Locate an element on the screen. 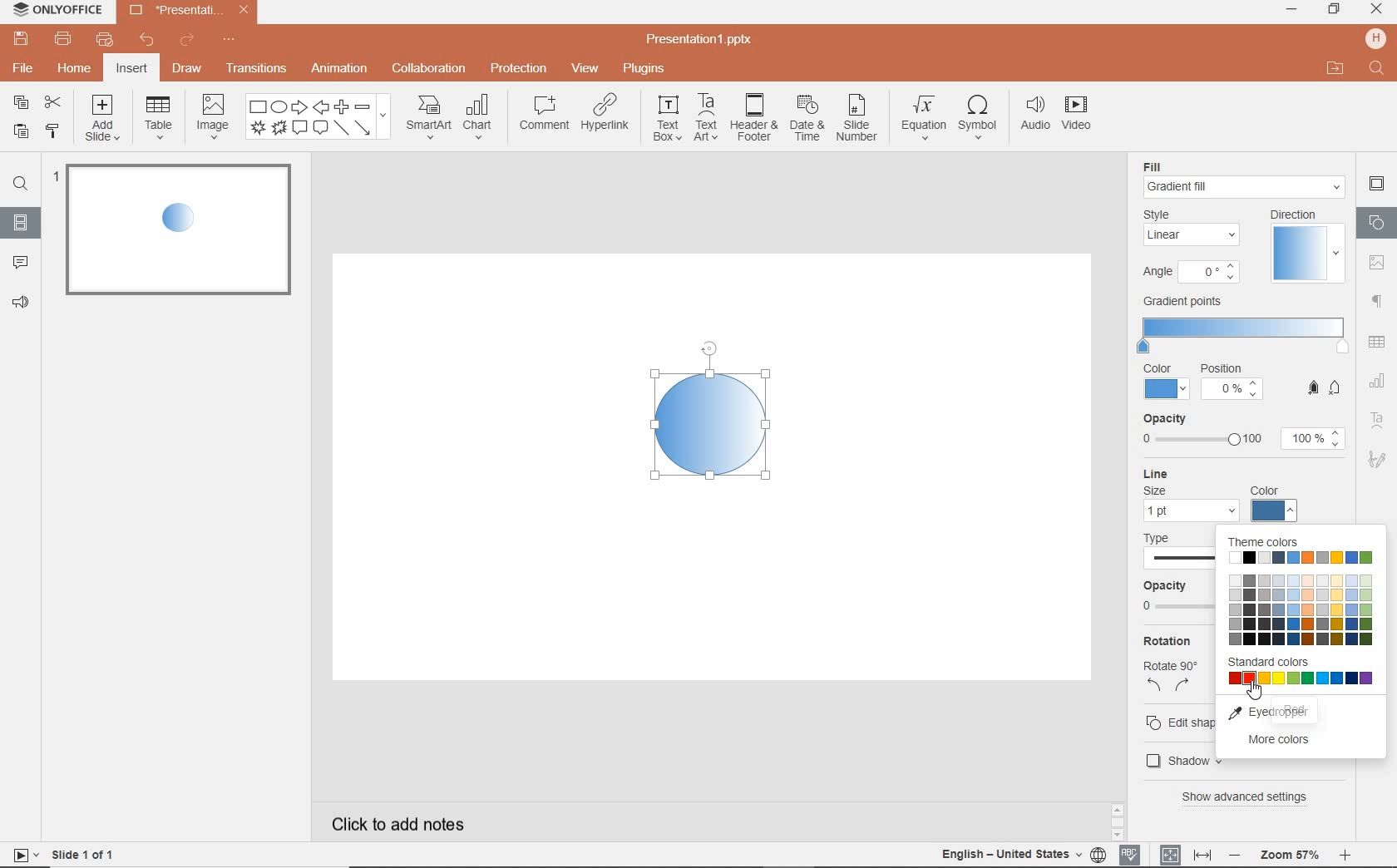 The image size is (1397, 868). 1 pt is located at coordinates (1189, 511).